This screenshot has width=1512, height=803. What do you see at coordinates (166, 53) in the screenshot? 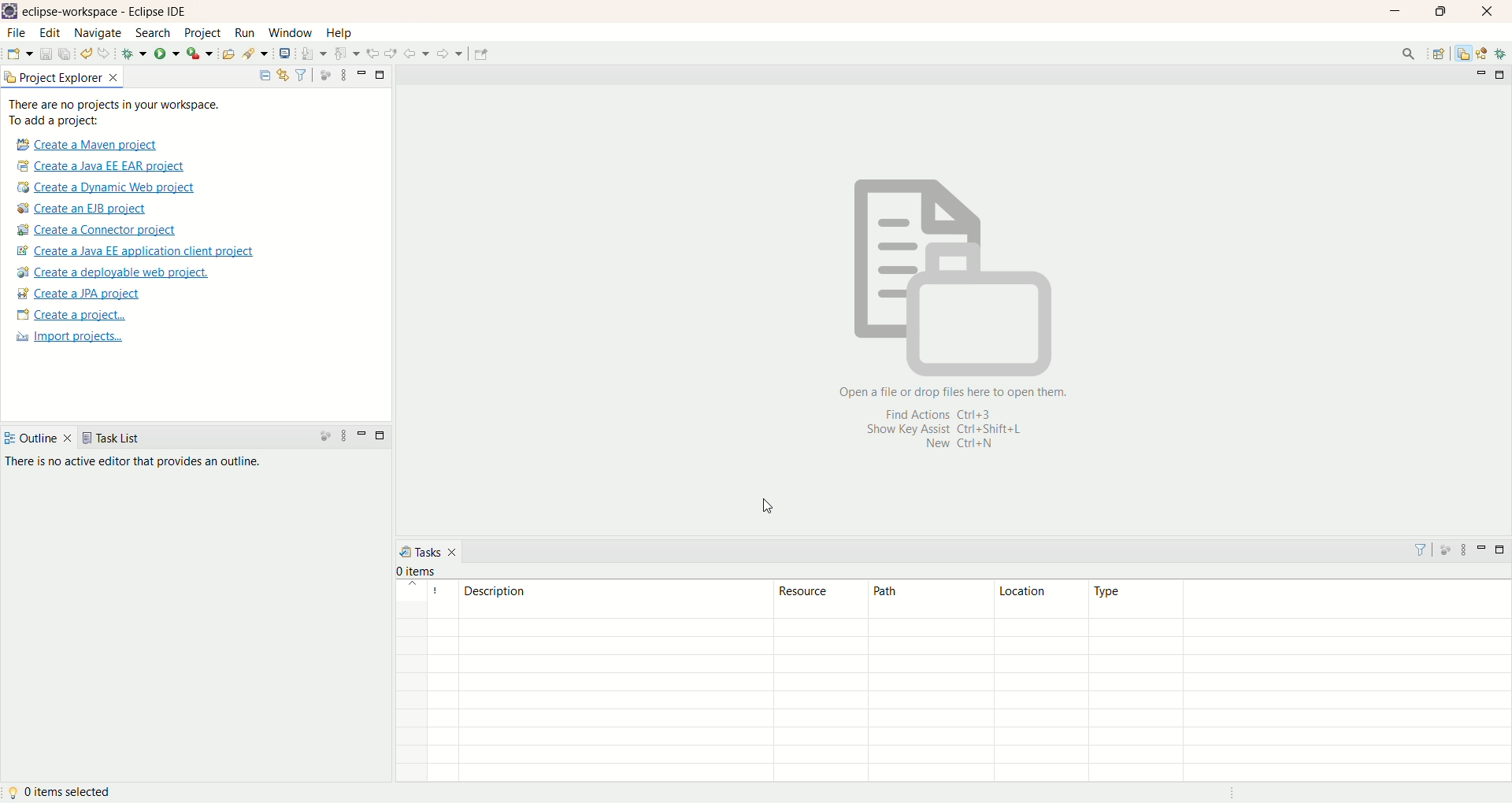
I see `run` at bounding box center [166, 53].